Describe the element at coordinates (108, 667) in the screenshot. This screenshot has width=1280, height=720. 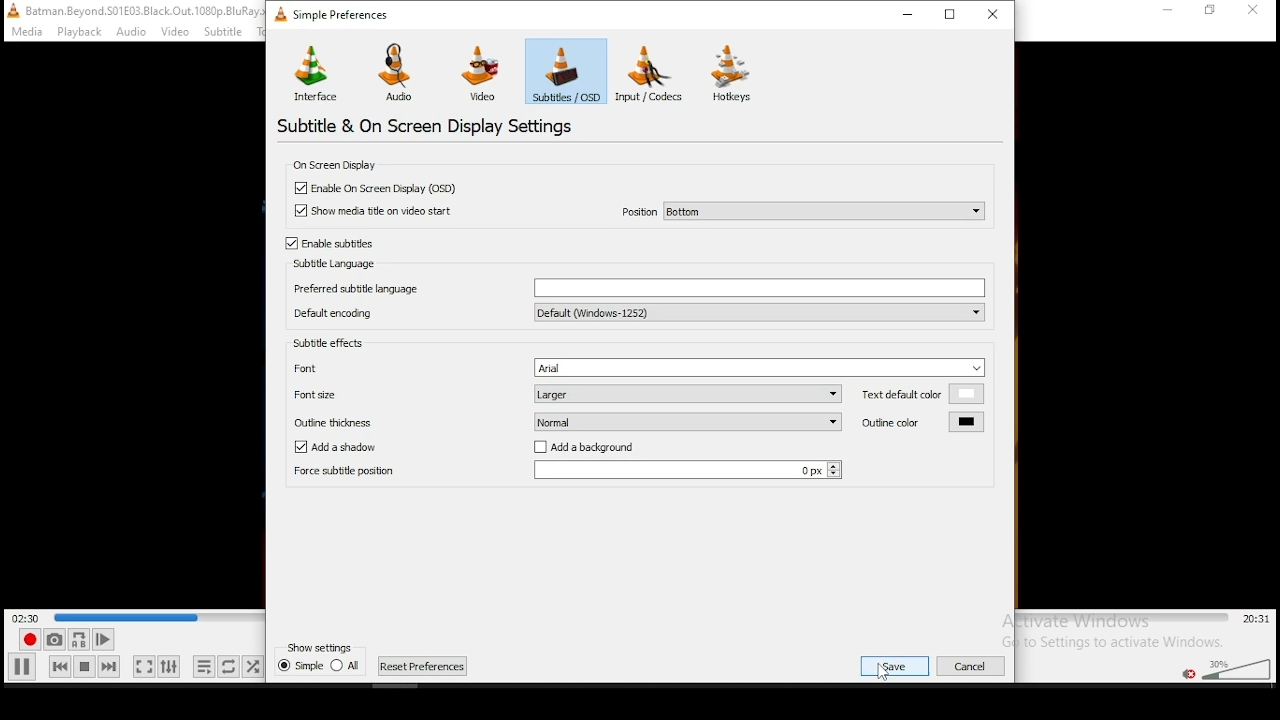
I see `Next media in playlist, skips forward when held` at that location.